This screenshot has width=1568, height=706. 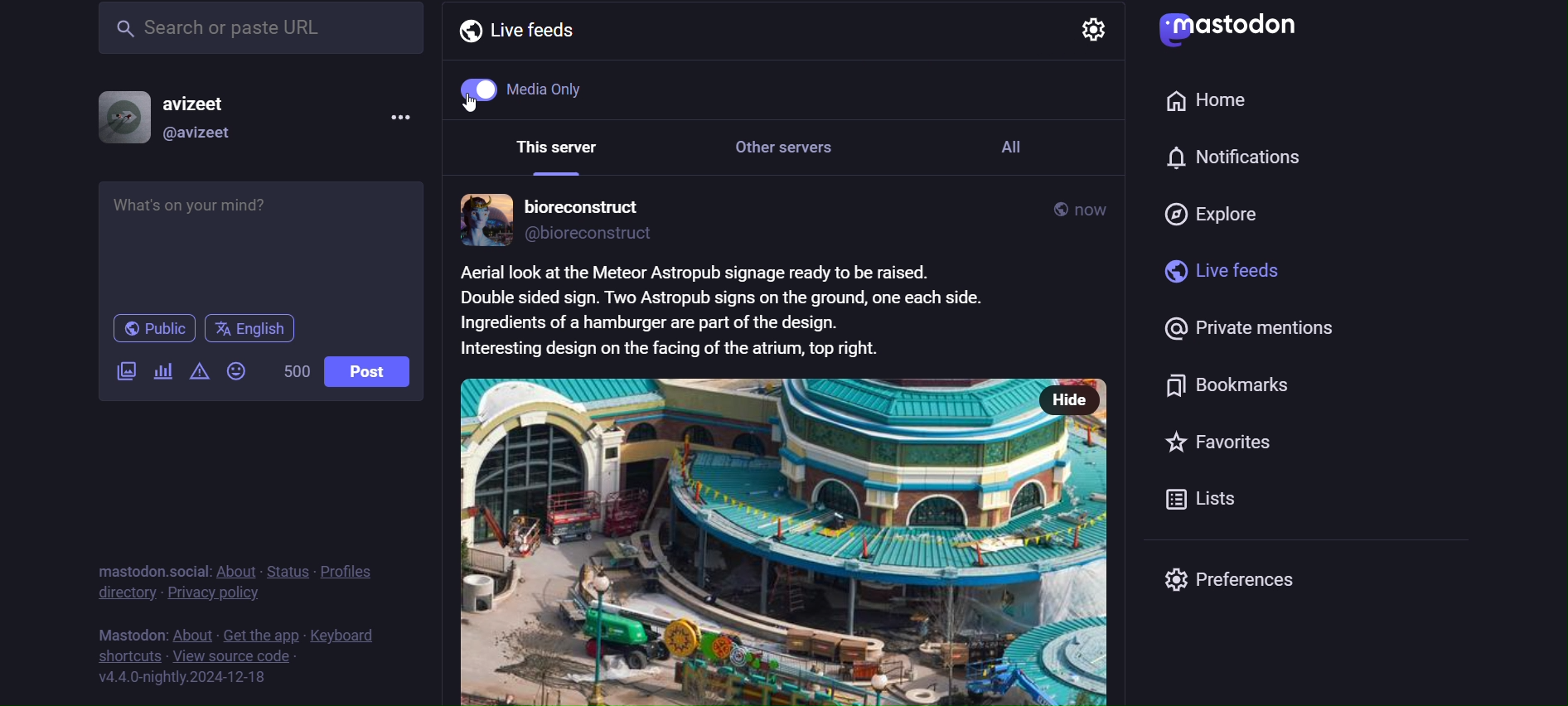 I want to click on add a poll, so click(x=161, y=368).